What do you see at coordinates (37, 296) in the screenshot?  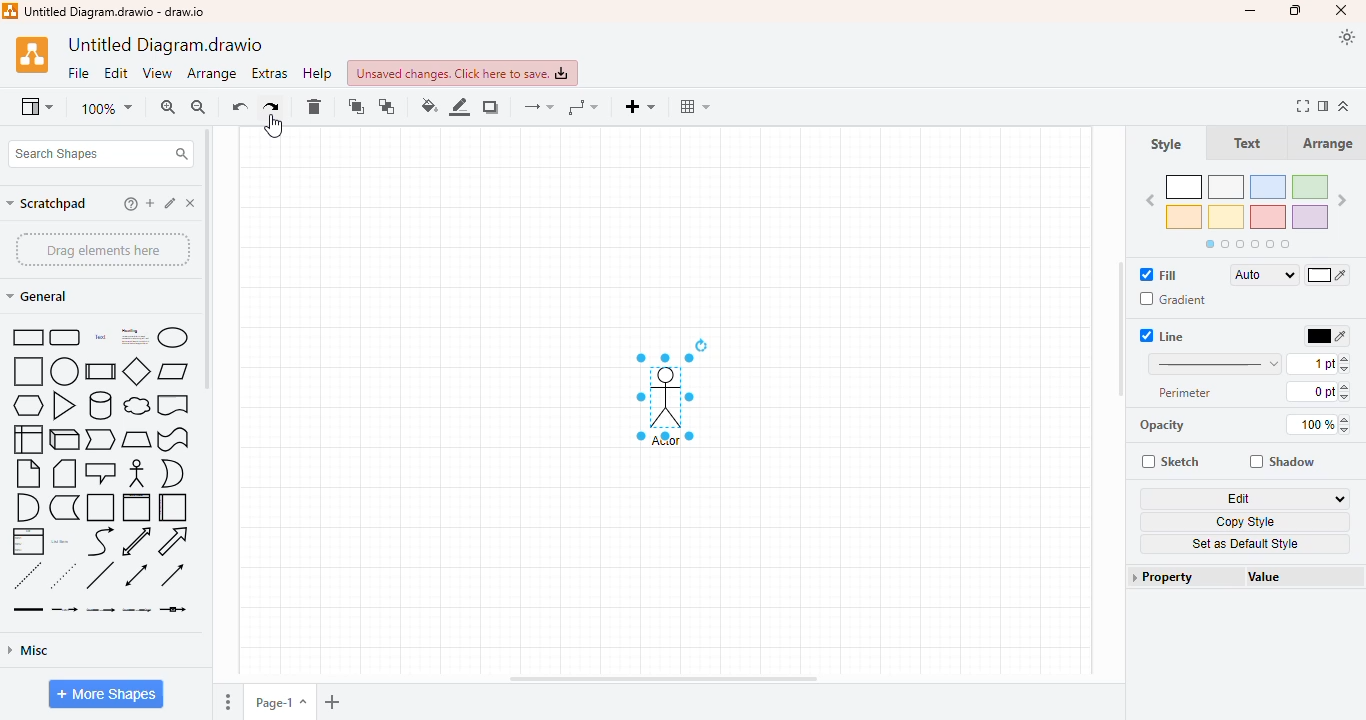 I see `general` at bounding box center [37, 296].